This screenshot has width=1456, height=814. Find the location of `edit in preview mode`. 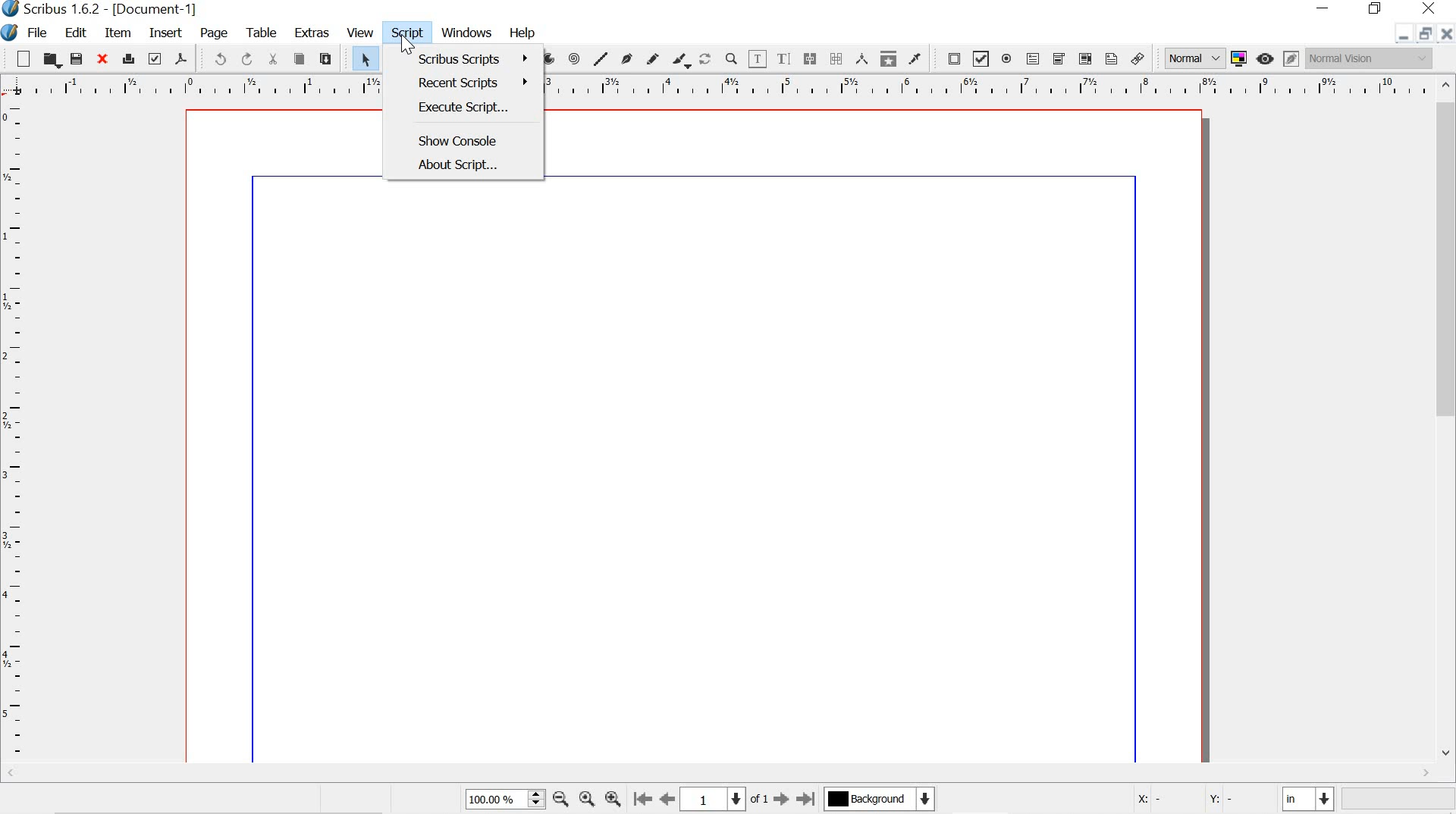

edit in preview mode is located at coordinates (1291, 58).